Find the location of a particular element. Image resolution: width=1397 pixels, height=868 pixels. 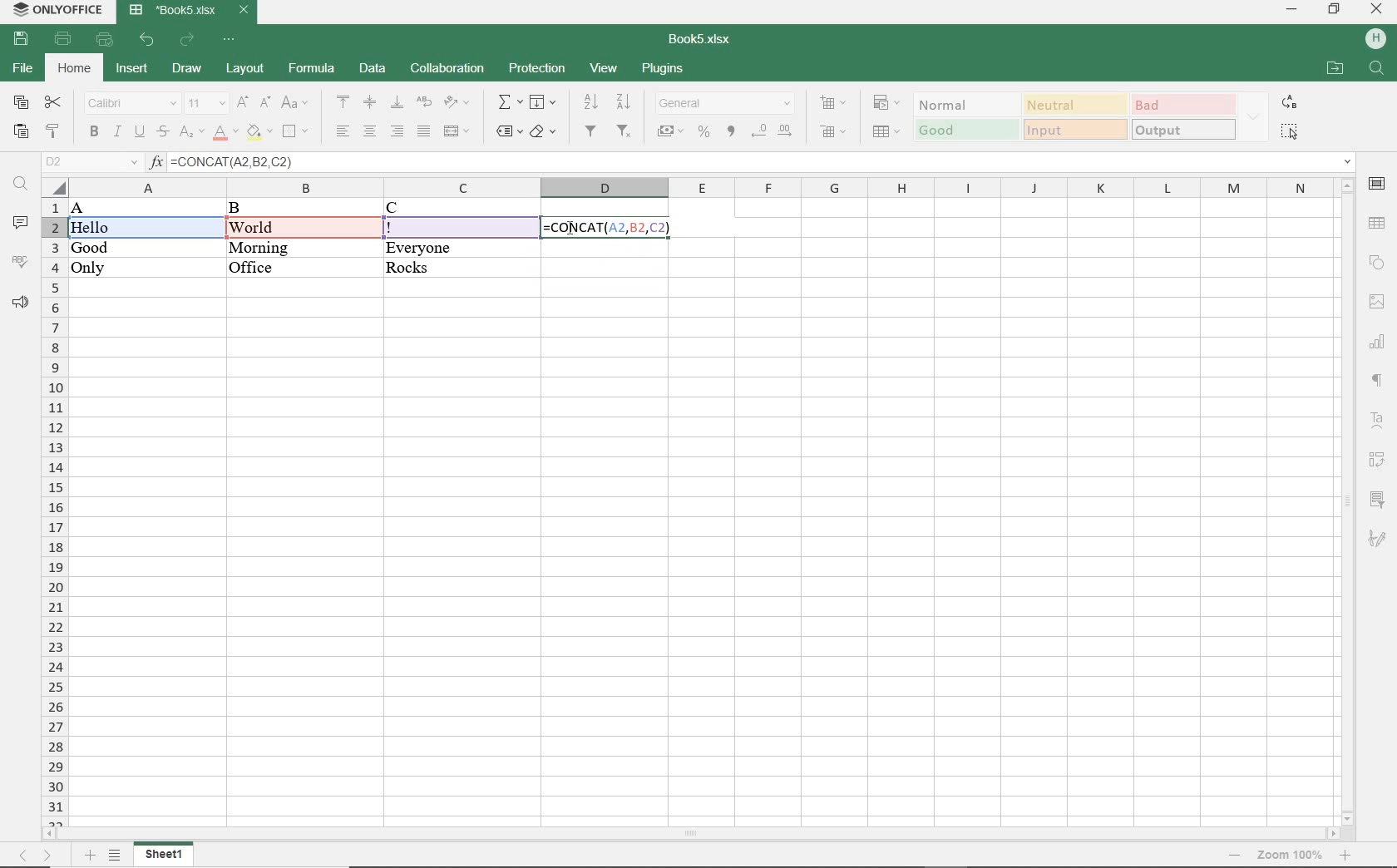

CLEAR is located at coordinates (543, 131).